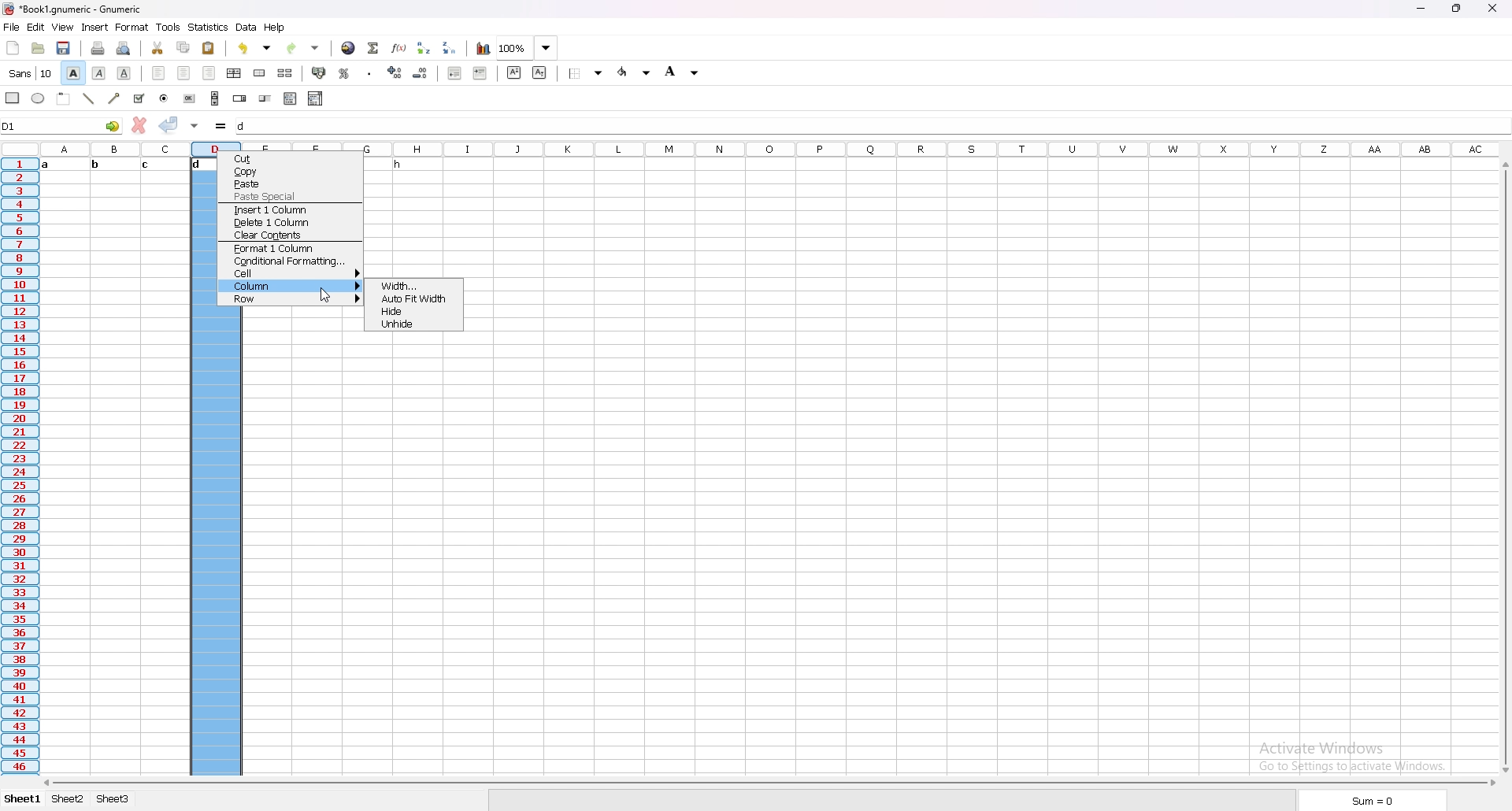  Describe the element at coordinates (23, 800) in the screenshot. I see `sheet 1` at that location.